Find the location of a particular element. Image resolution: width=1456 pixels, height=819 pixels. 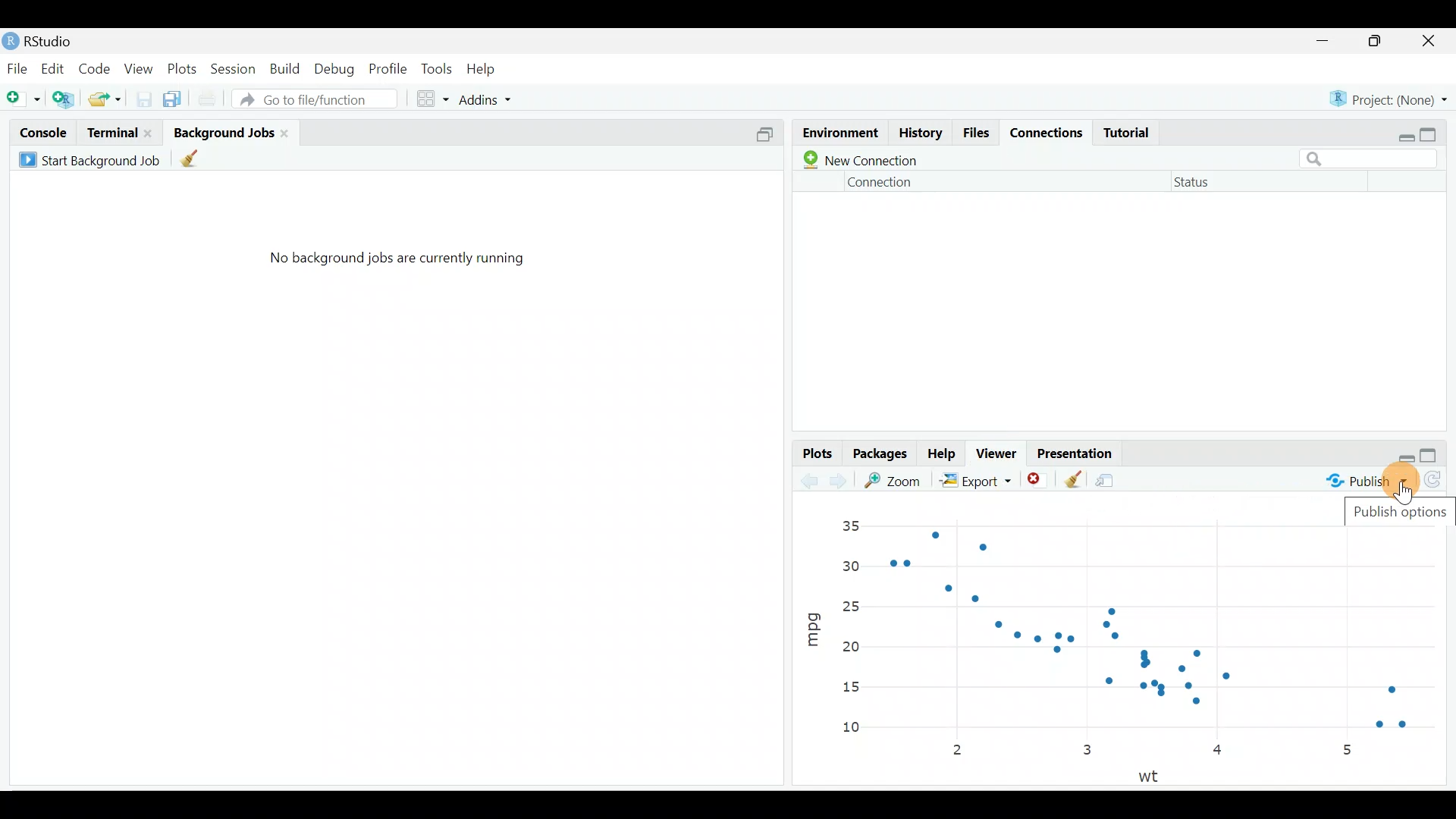

Help is located at coordinates (943, 454).